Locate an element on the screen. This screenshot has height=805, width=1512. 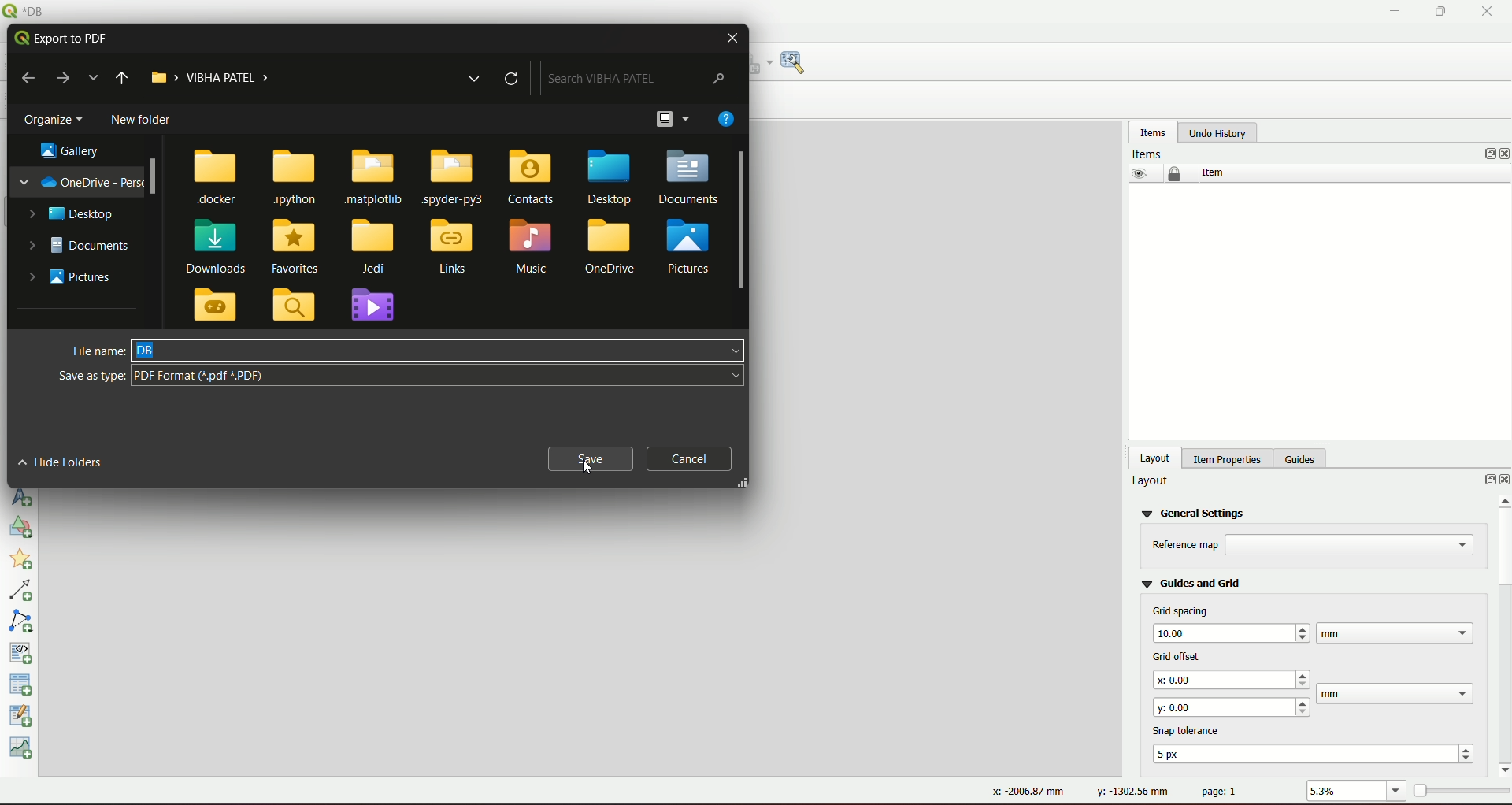
elevation profile is located at coordinates (24, 750).